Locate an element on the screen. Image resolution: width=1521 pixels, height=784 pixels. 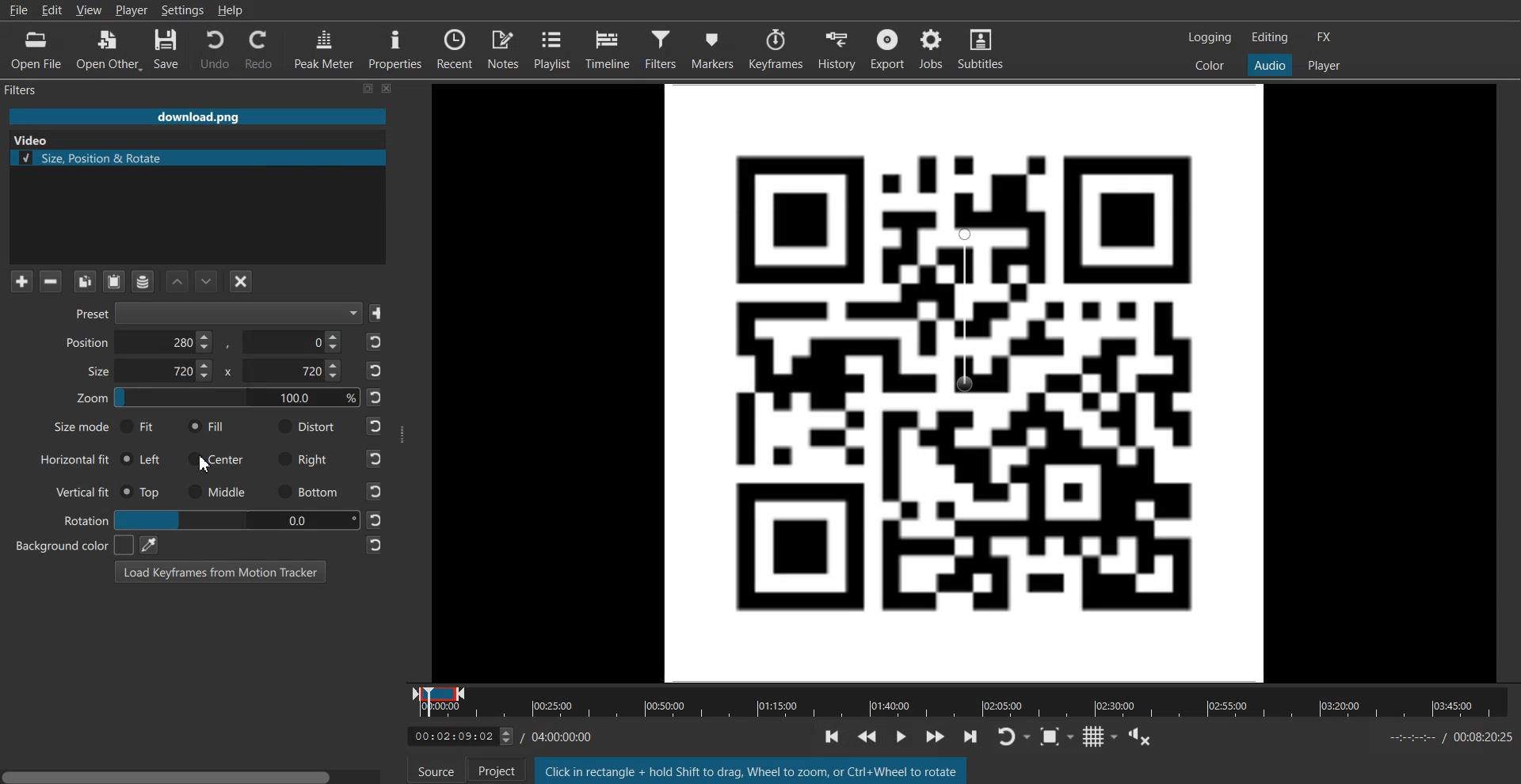
Reset to default is located at coordinates (375, 443).